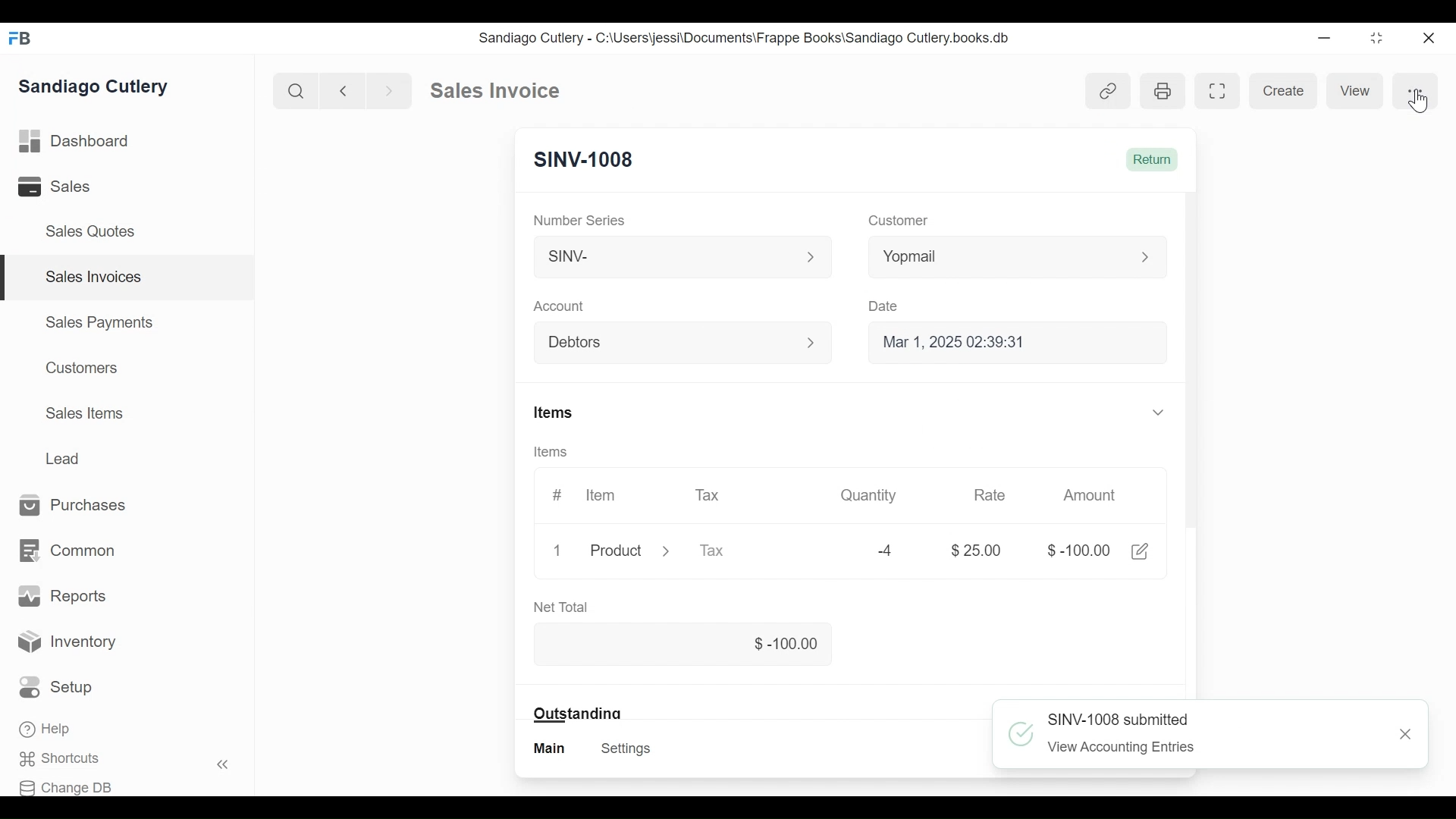 This screenshot has width=1456, height=819. I want to click on Yopmail , so click(1018, 257).